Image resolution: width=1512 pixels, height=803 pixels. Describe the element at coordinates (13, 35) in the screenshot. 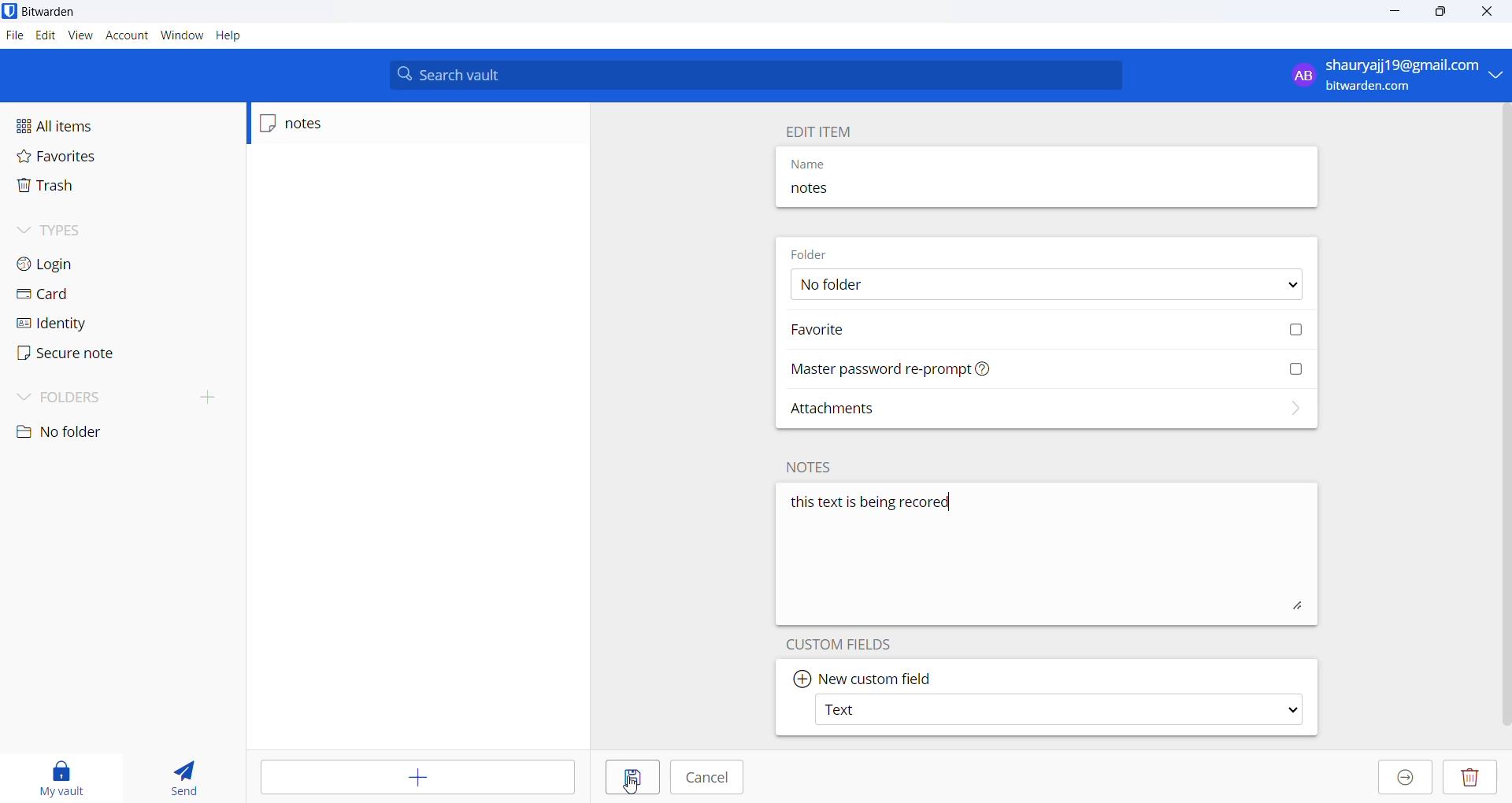

I see `files` at that location.